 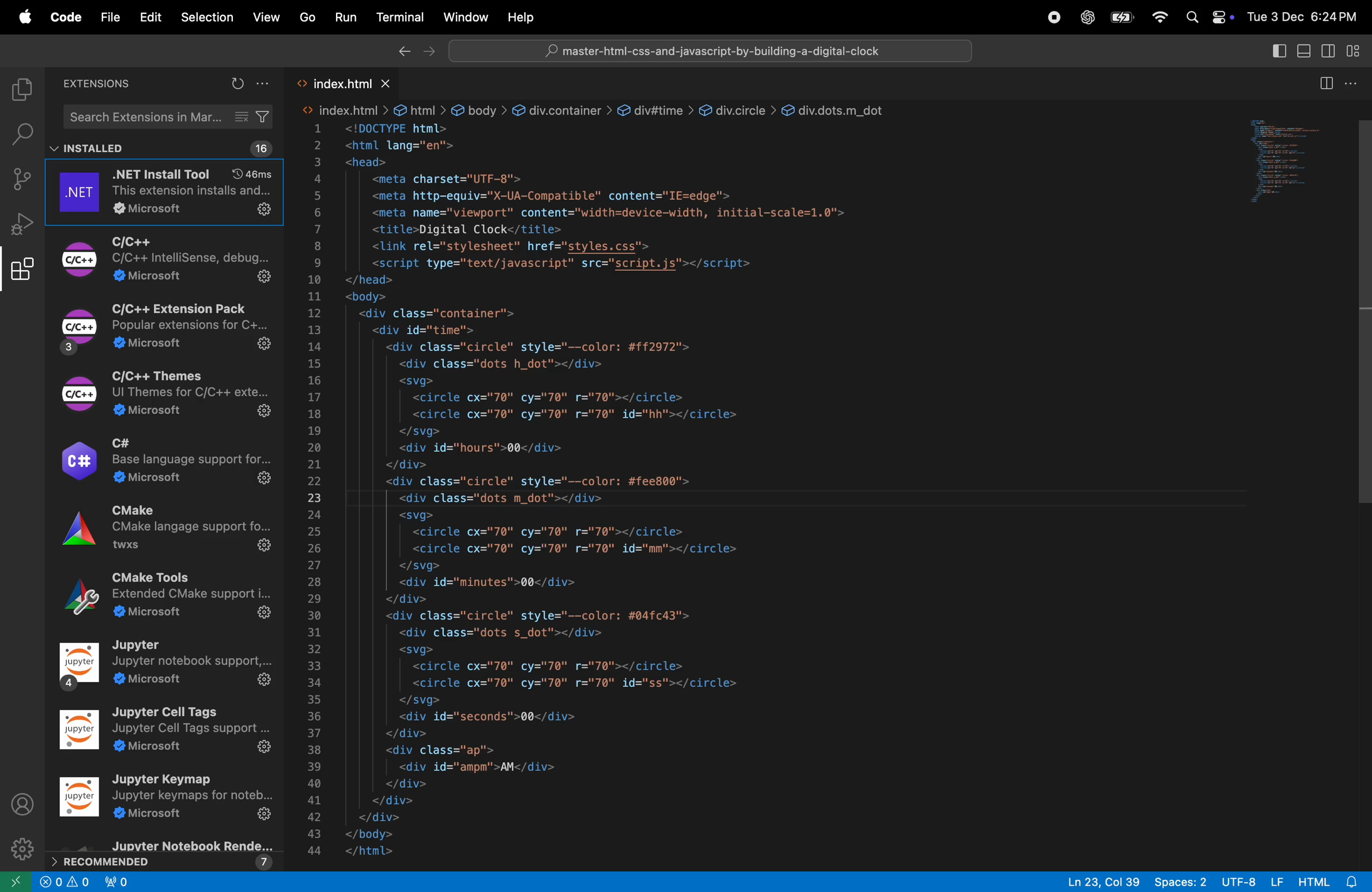 What do you see at coordinates (164, 331) in the screenshot?
I see `Extension C\C++ extension pack` at bounding box center [164, 331].